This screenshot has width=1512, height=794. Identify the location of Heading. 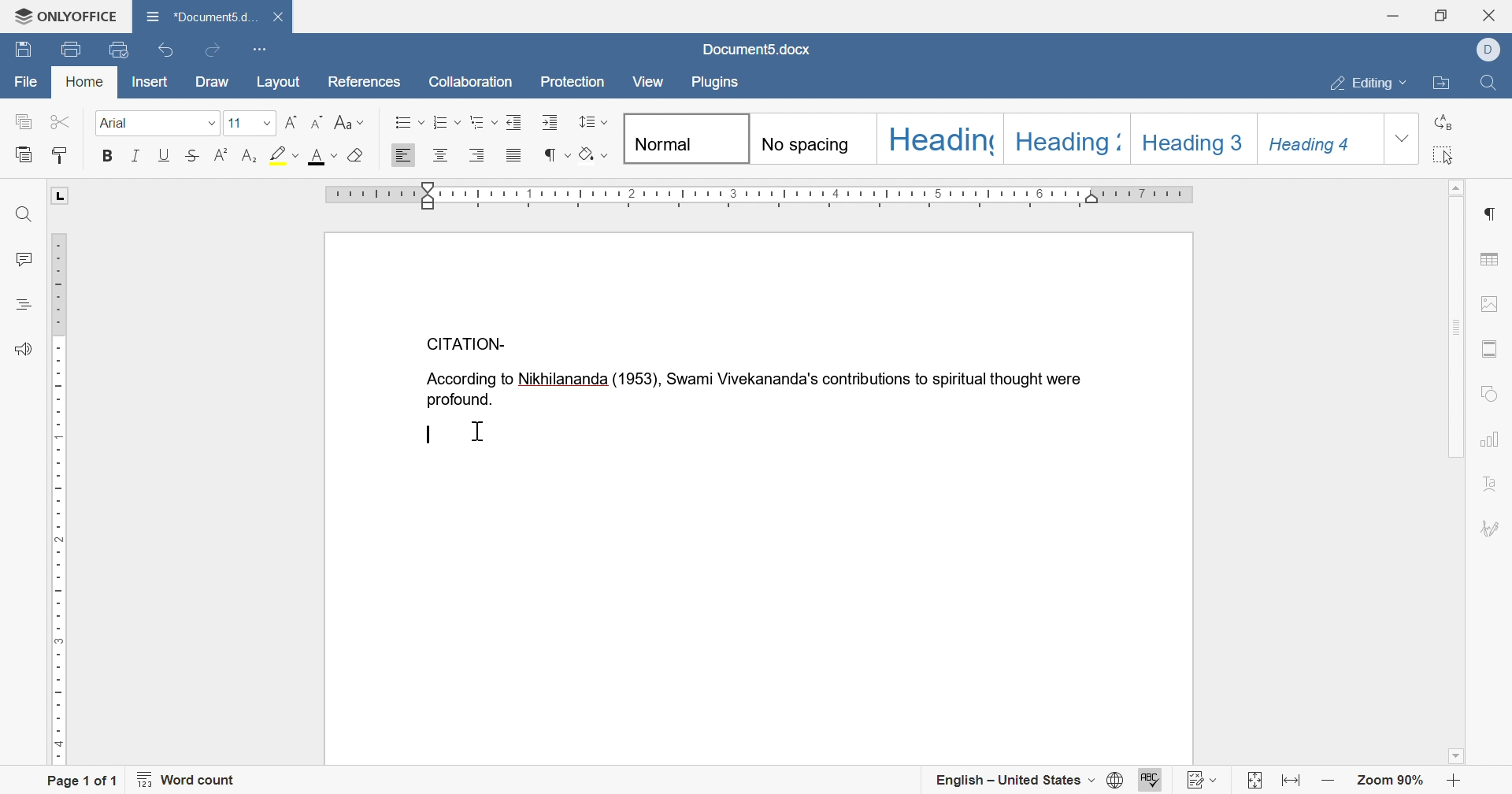
(1068, 139).